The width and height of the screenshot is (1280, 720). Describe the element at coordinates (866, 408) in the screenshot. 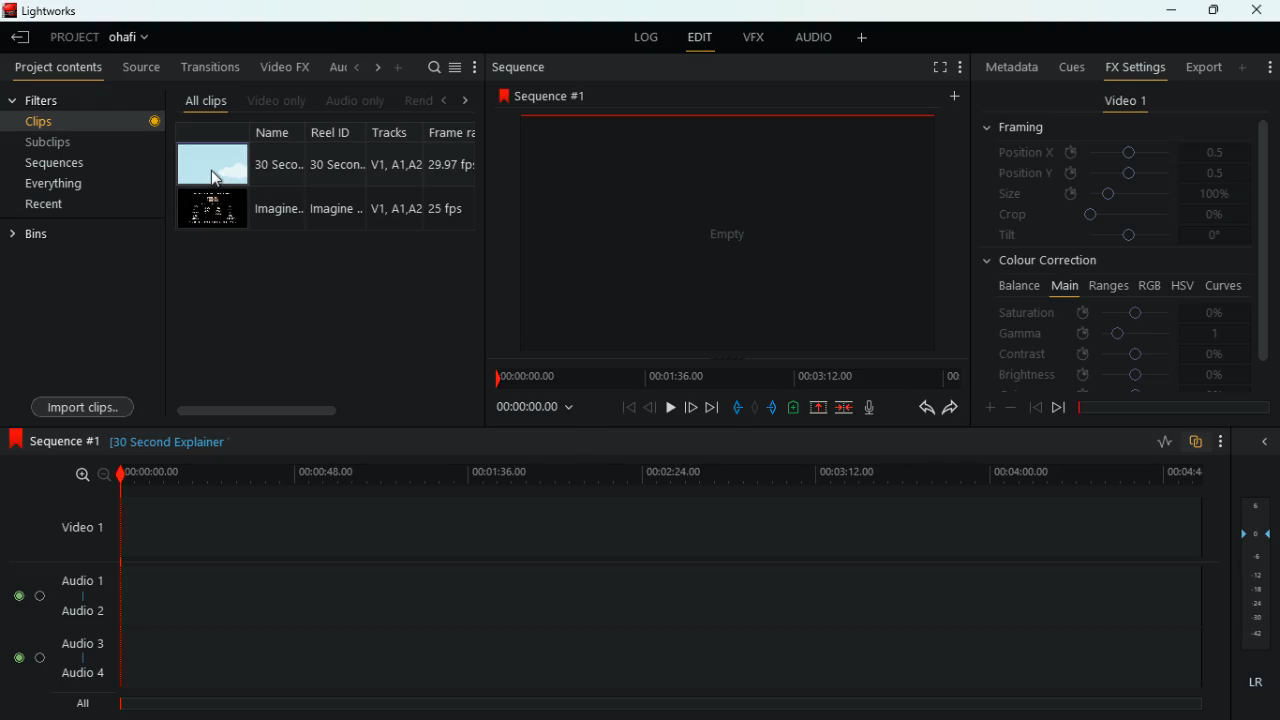

I see `mic` at that location.